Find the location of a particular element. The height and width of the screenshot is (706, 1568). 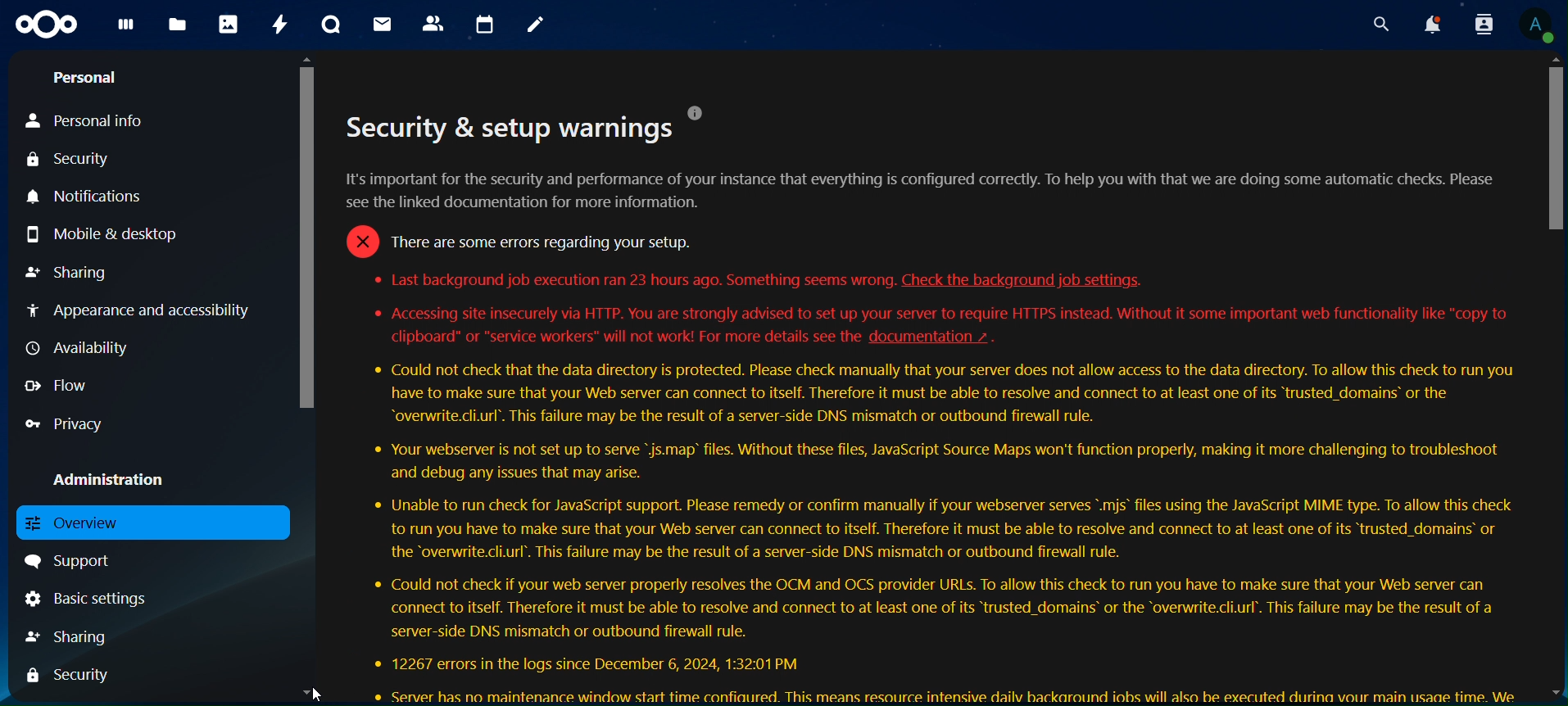

notes is located at coordinates (537, 27).